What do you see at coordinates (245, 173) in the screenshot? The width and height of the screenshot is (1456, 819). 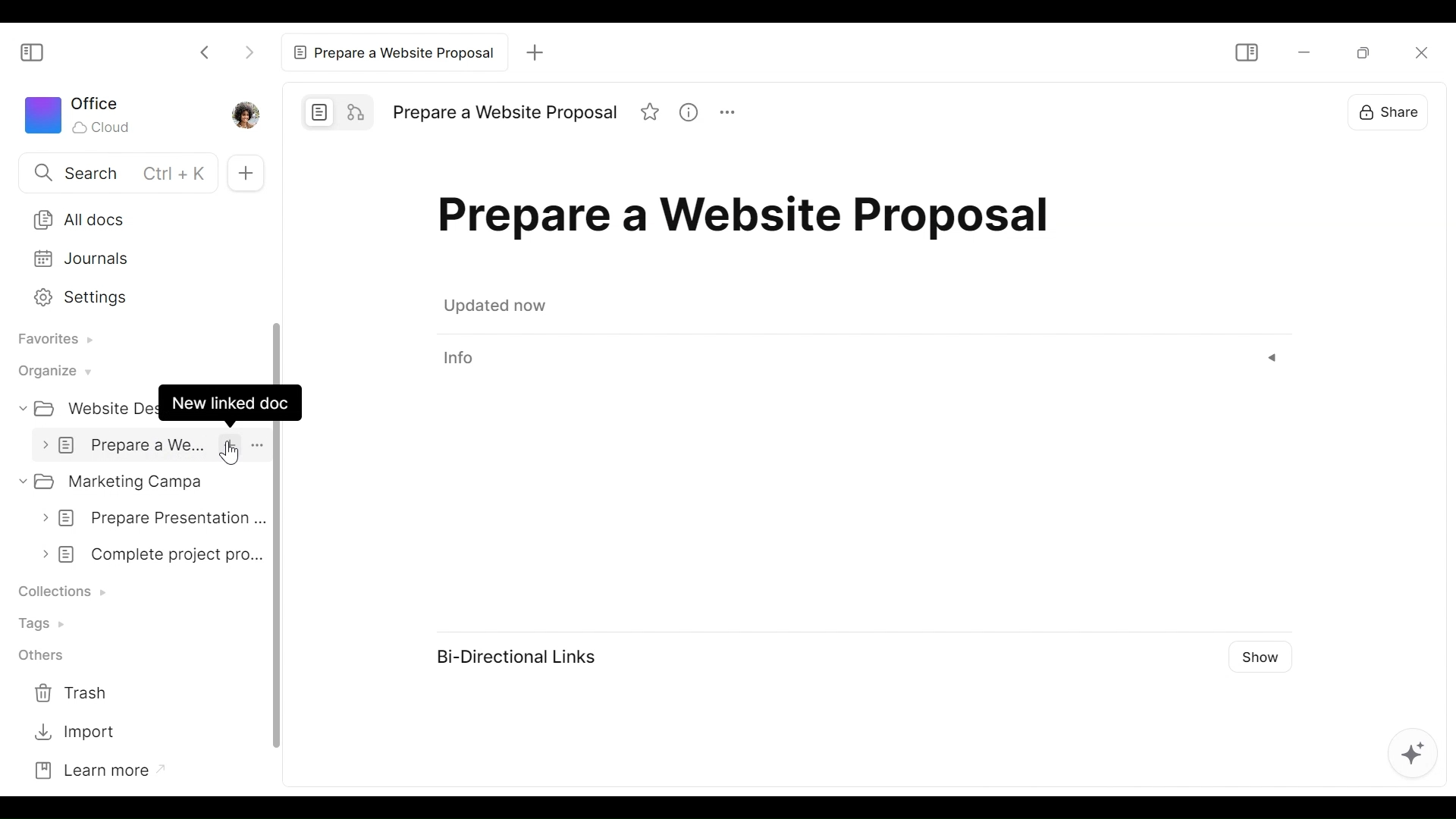 I see `New` at bounding box center [245, 173].